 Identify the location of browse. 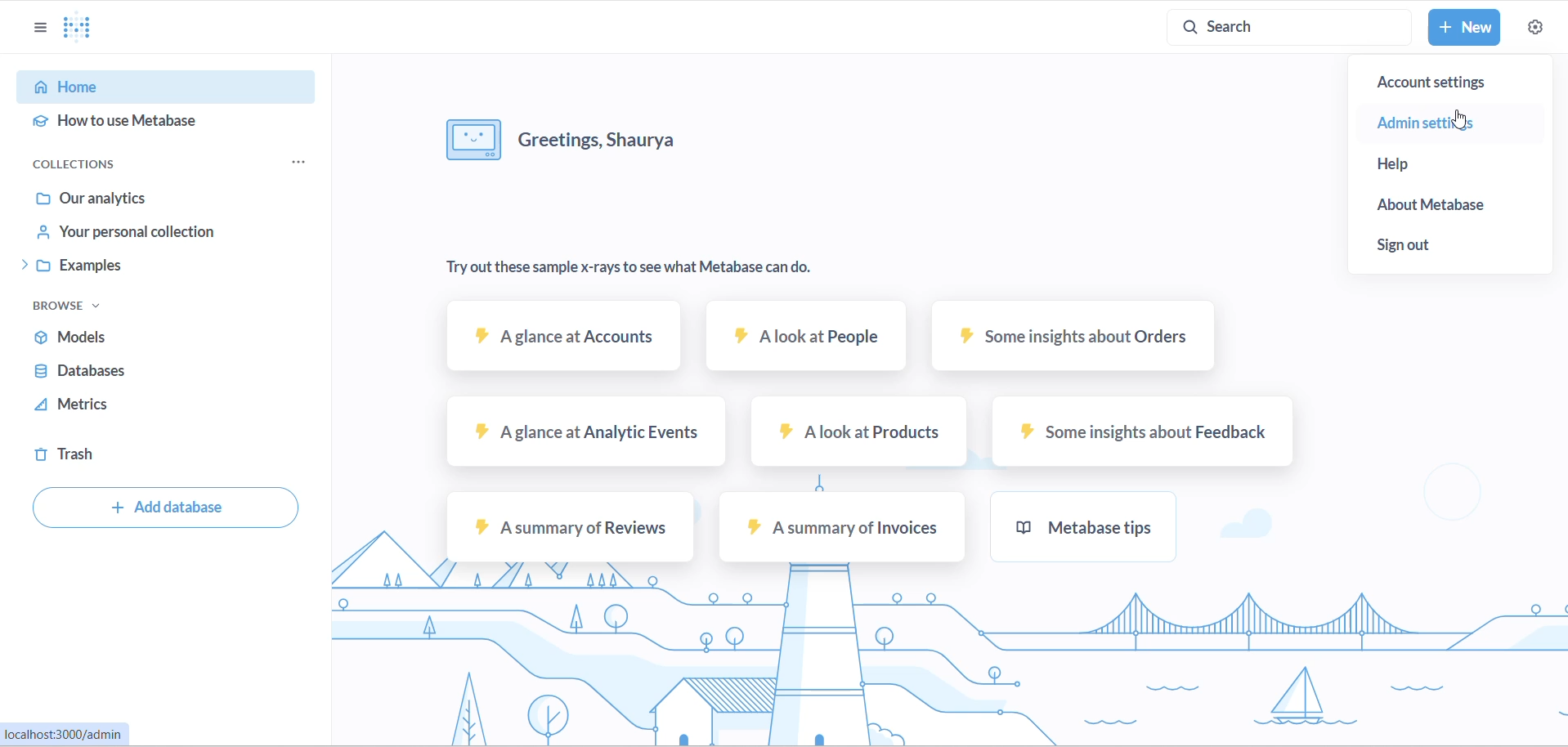
(67, 306).